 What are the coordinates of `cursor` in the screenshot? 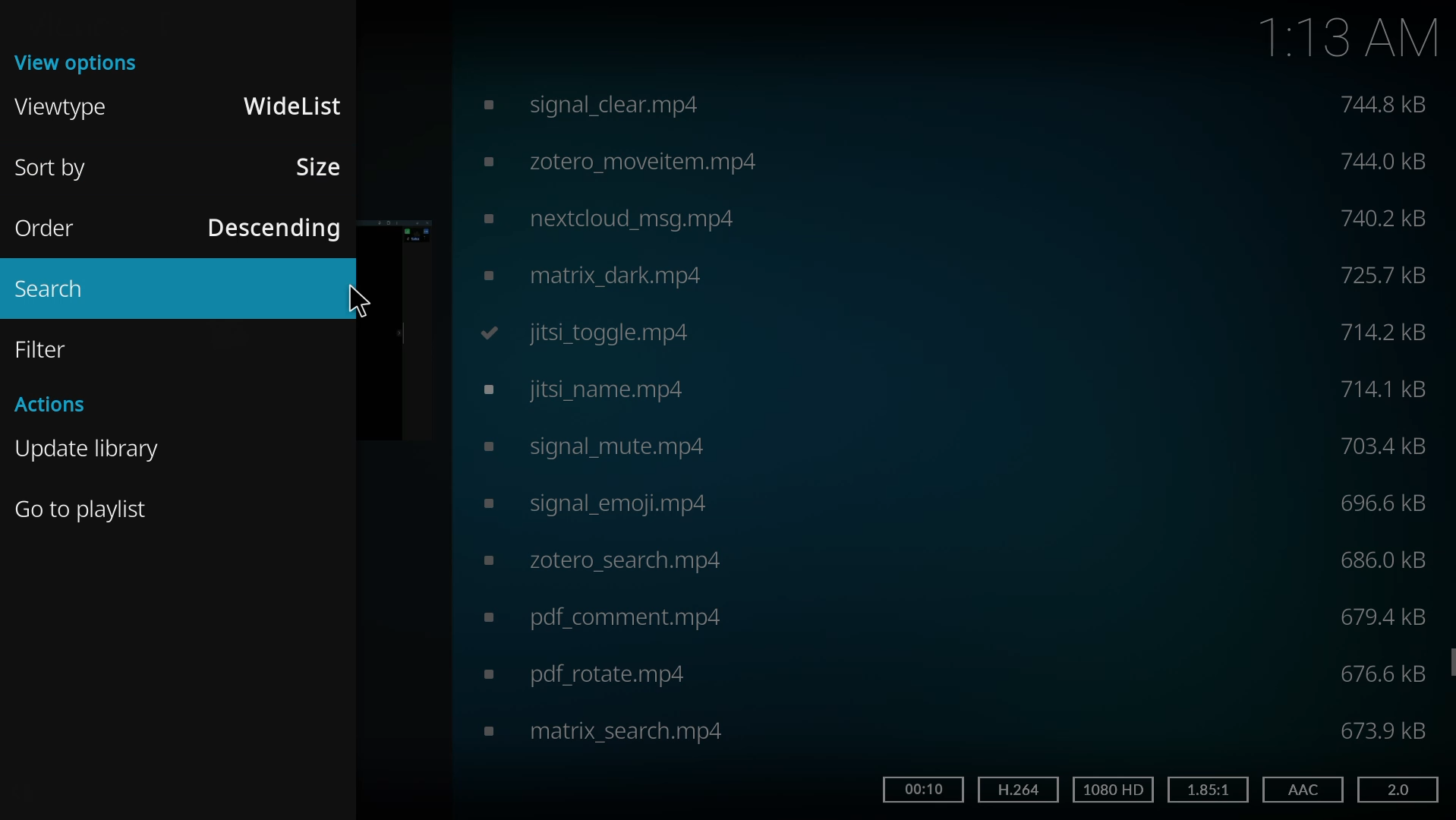 It's located at (358, 303).